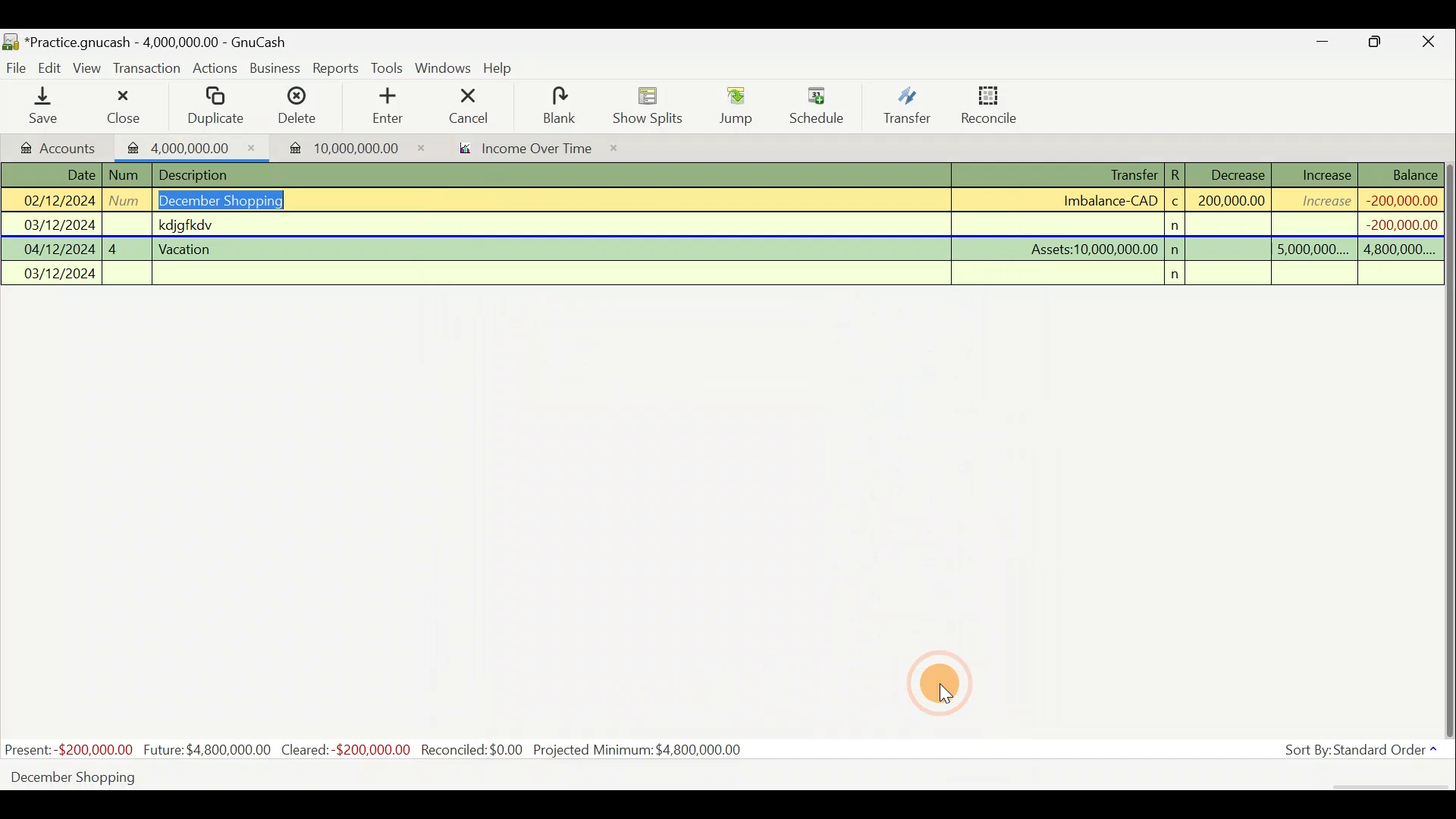 The height and width of the screenshot is (819, 1456). I want to click on Cursor, so click(944, 683).